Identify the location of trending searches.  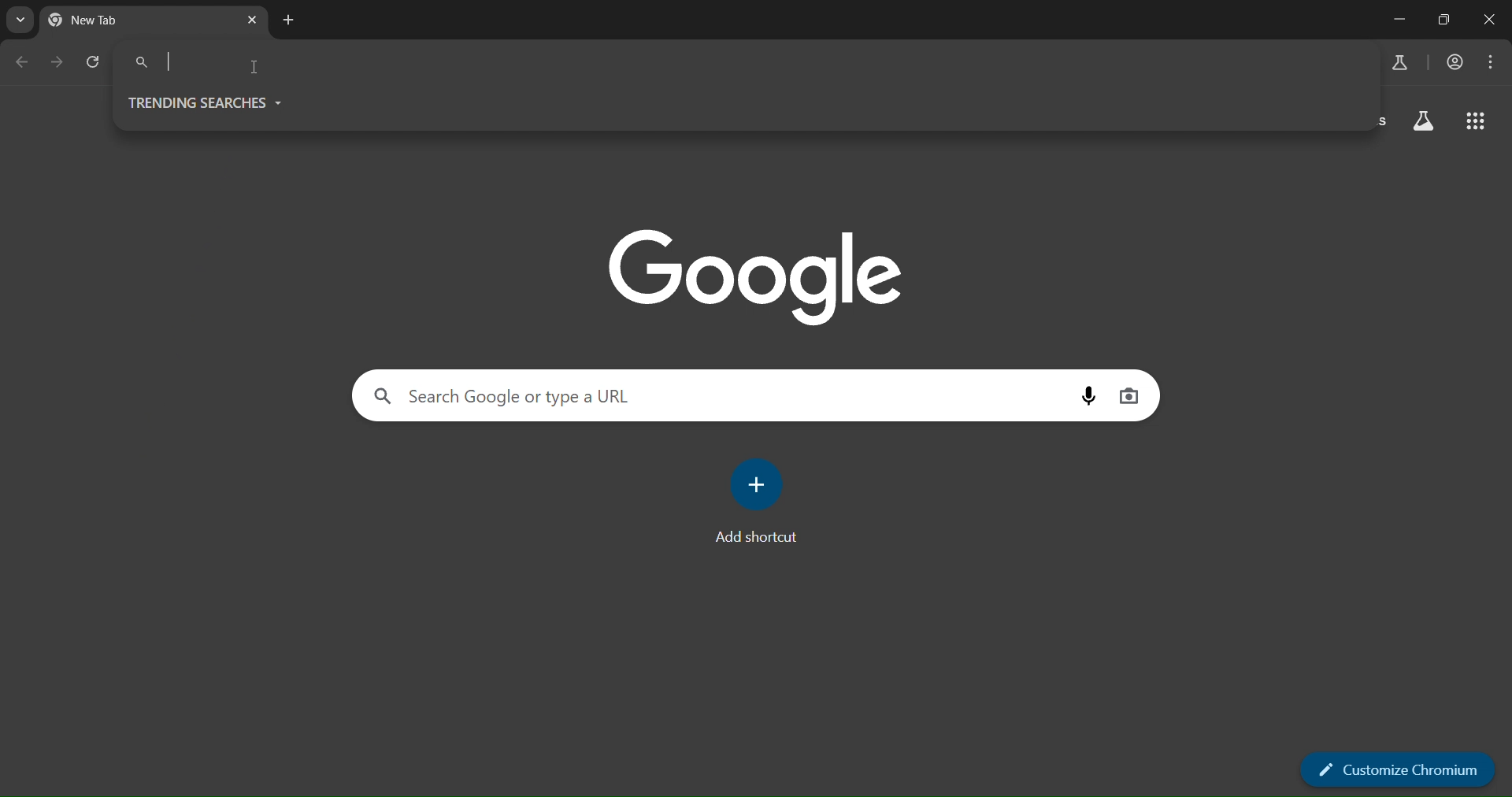
(211, 102).